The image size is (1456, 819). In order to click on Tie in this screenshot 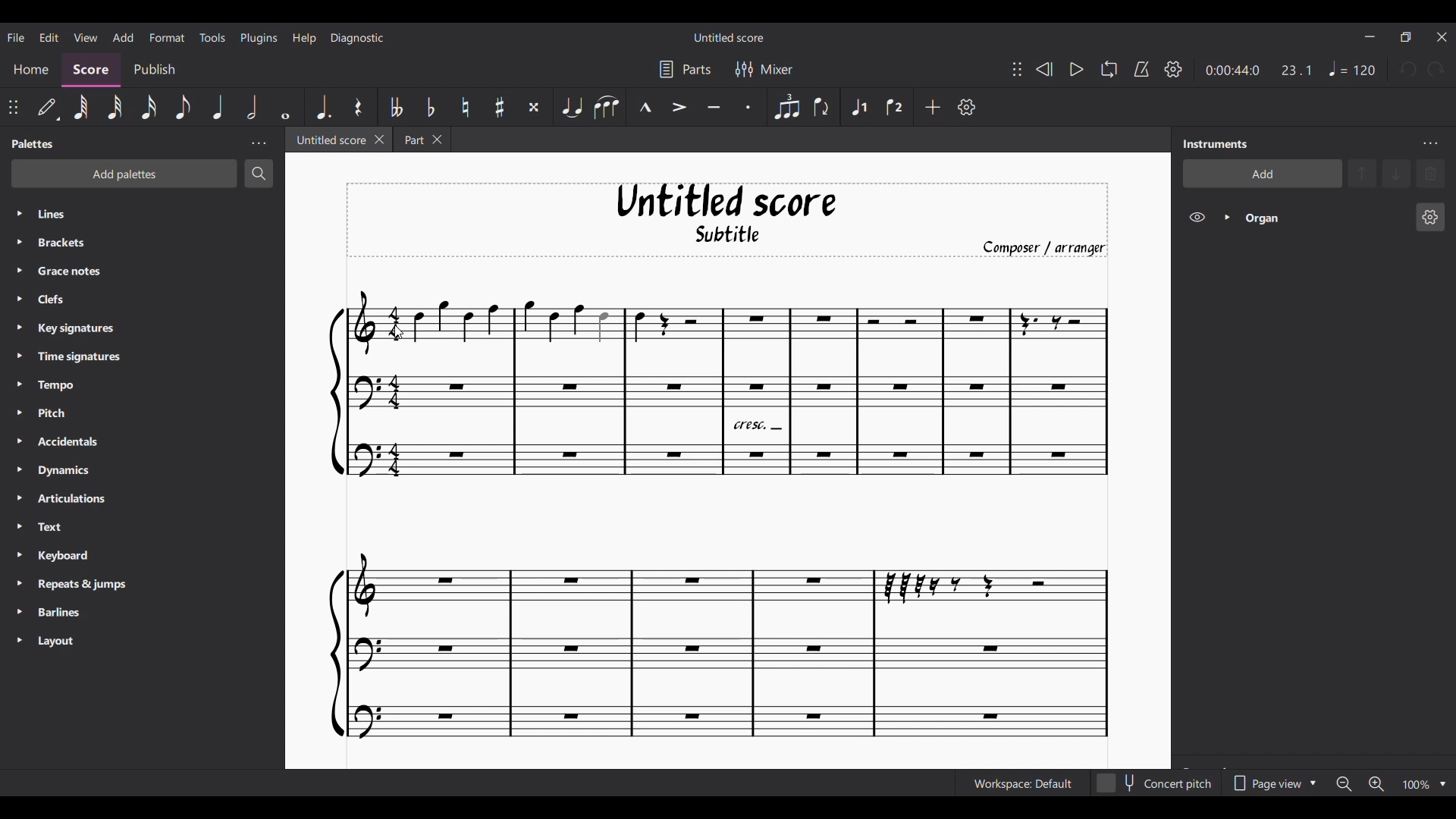, I will do `click(571, 106)`.